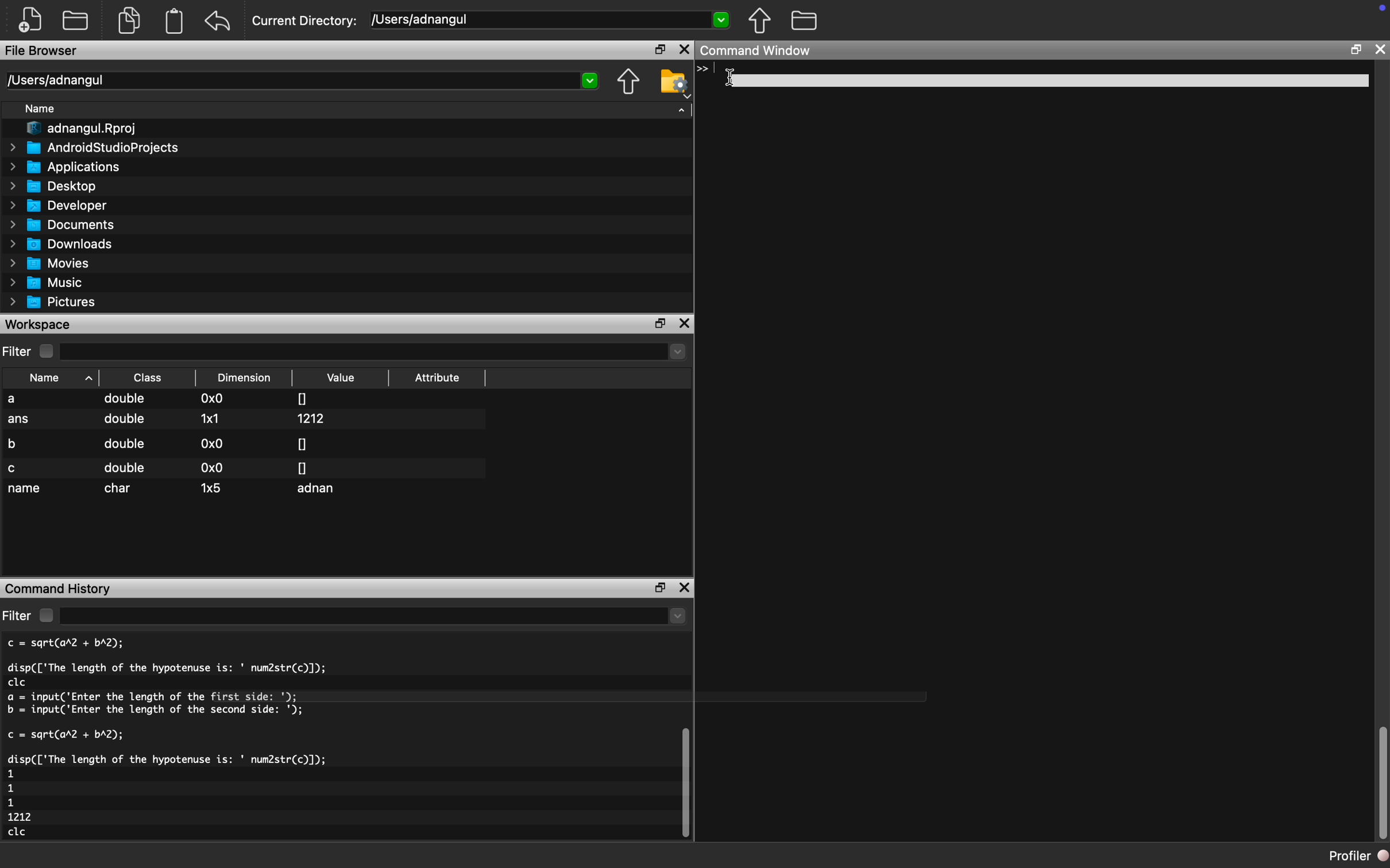  What do you see at coordinates (51, 263) in the screenshot?
I see ` Movies` at bounding box center [51, 263].